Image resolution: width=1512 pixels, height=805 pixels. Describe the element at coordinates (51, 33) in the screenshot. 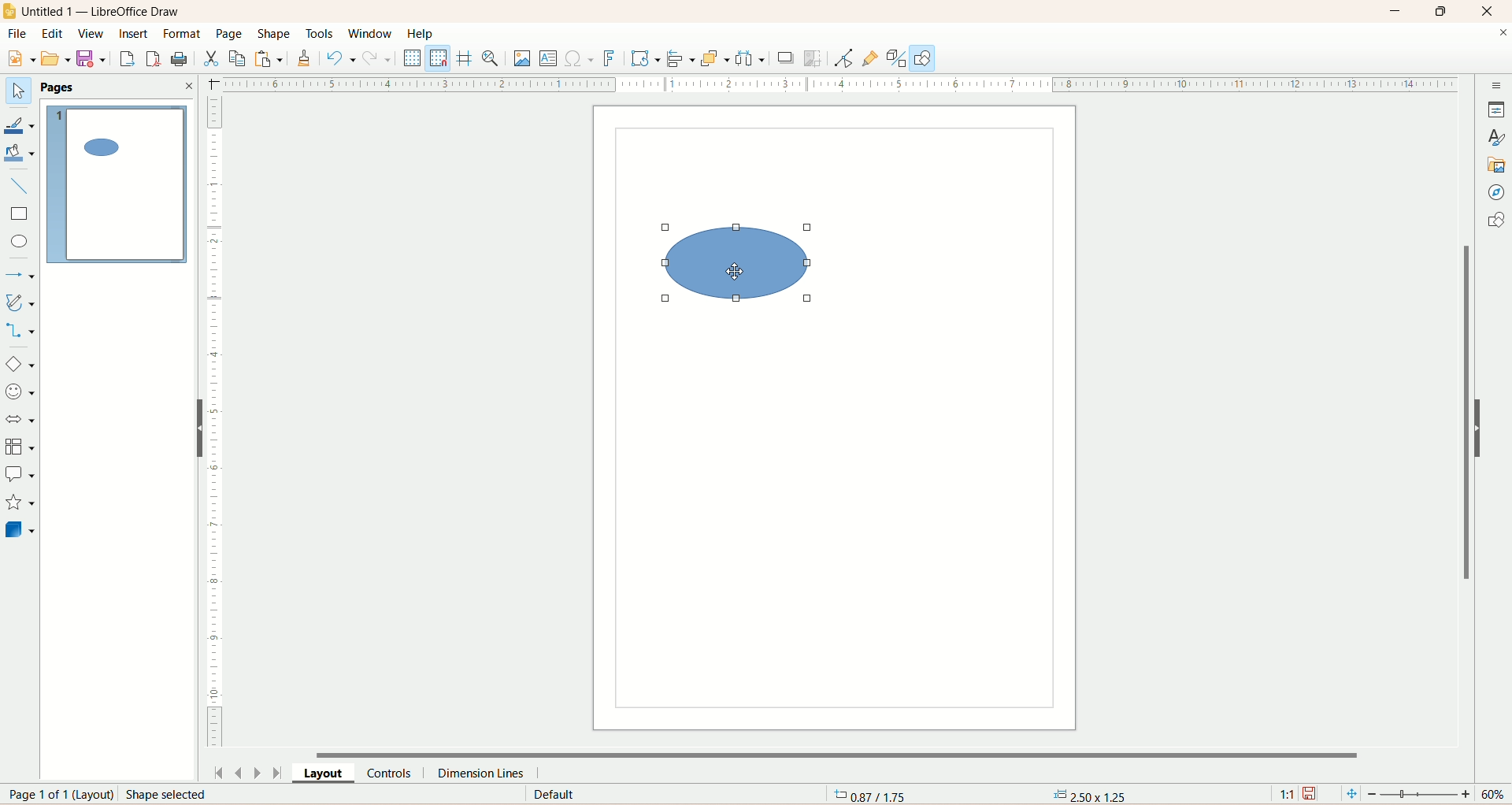

I see `edit` at that location.